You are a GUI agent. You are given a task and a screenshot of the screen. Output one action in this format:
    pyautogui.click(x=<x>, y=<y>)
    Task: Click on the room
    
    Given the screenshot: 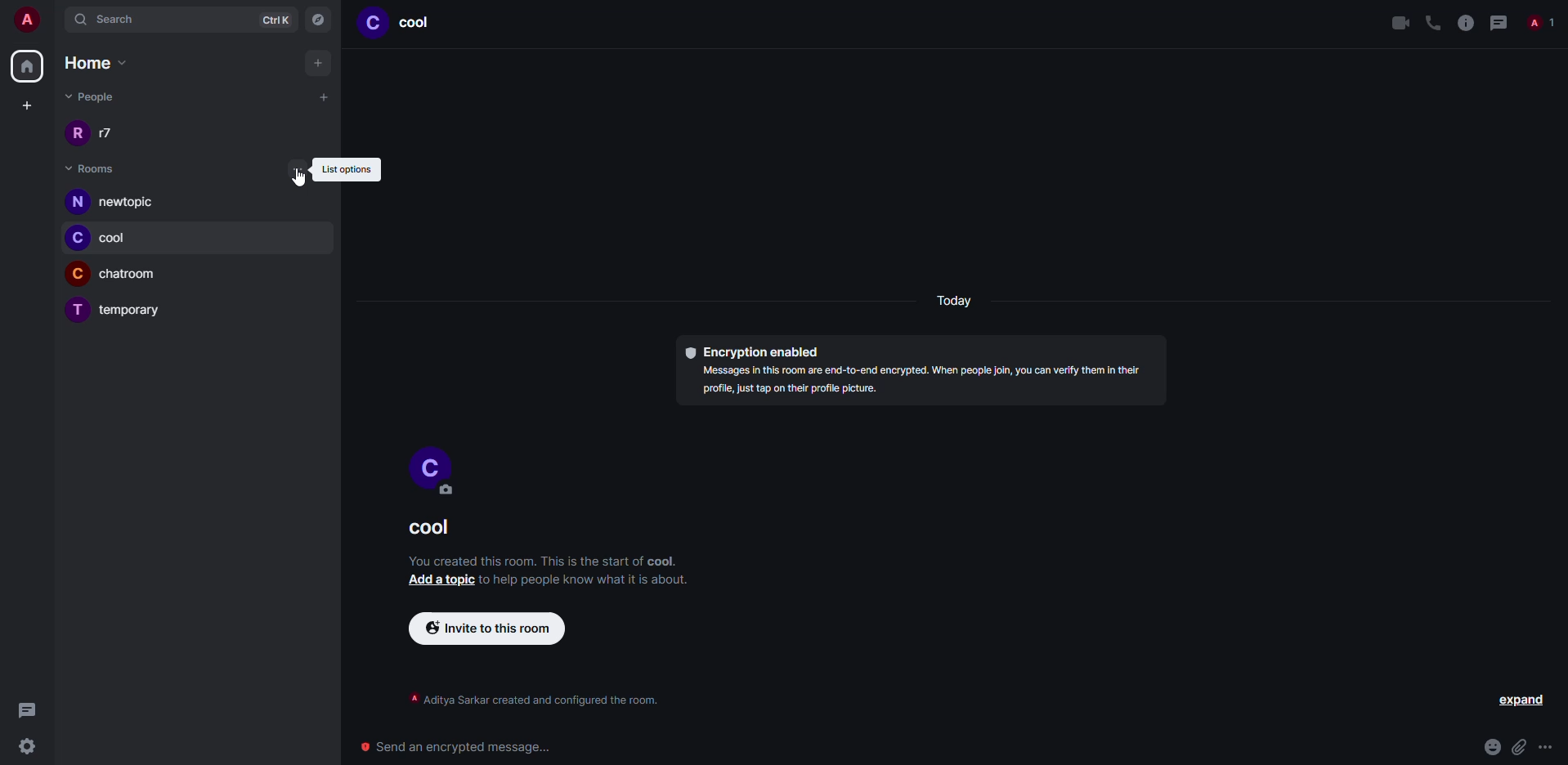 What is the action you would take?
    pyautogui.click(x=419, y=24)
    